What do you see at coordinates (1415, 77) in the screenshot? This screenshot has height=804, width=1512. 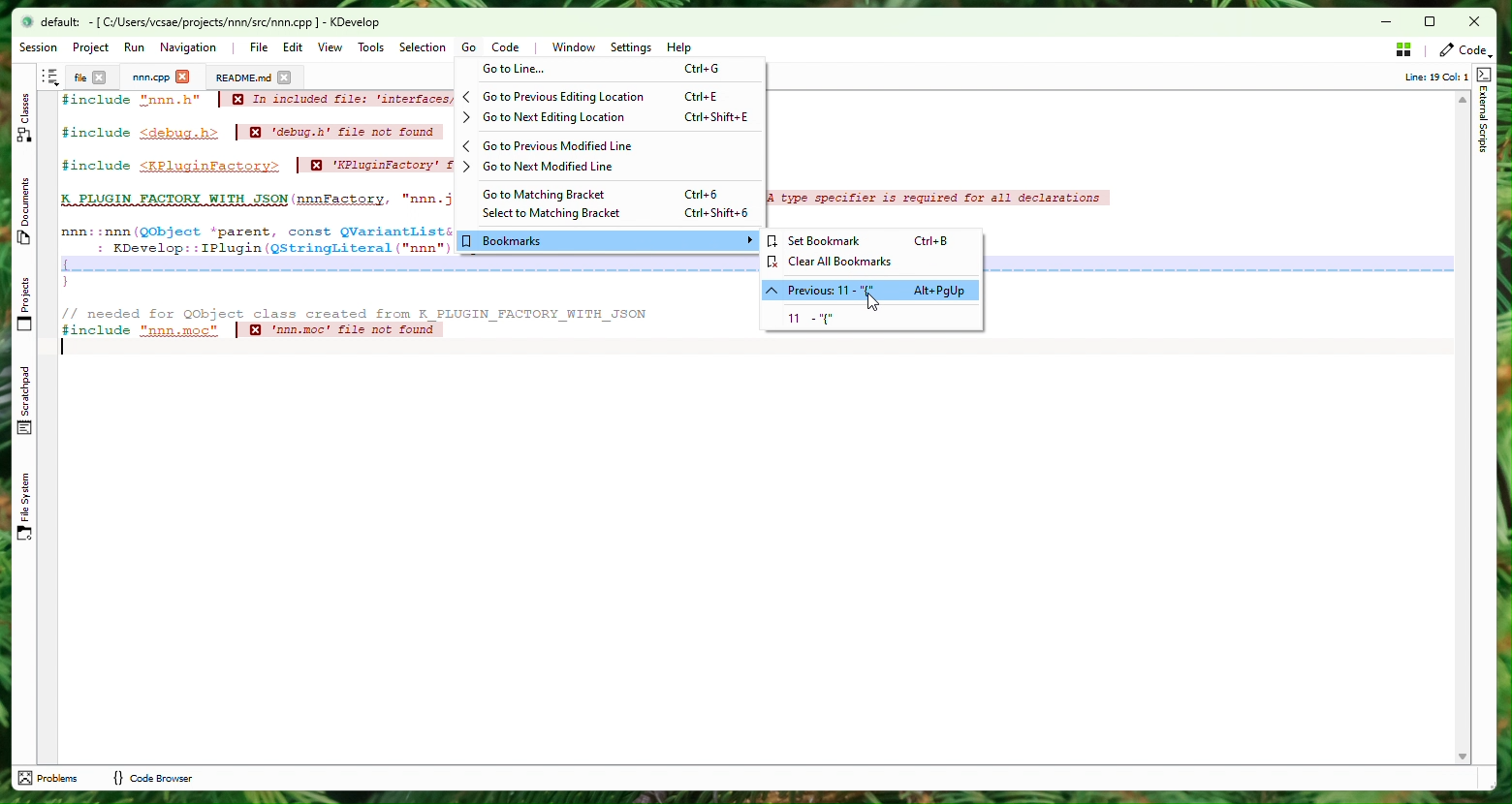 I see `` at bounding box center [1415, 77].